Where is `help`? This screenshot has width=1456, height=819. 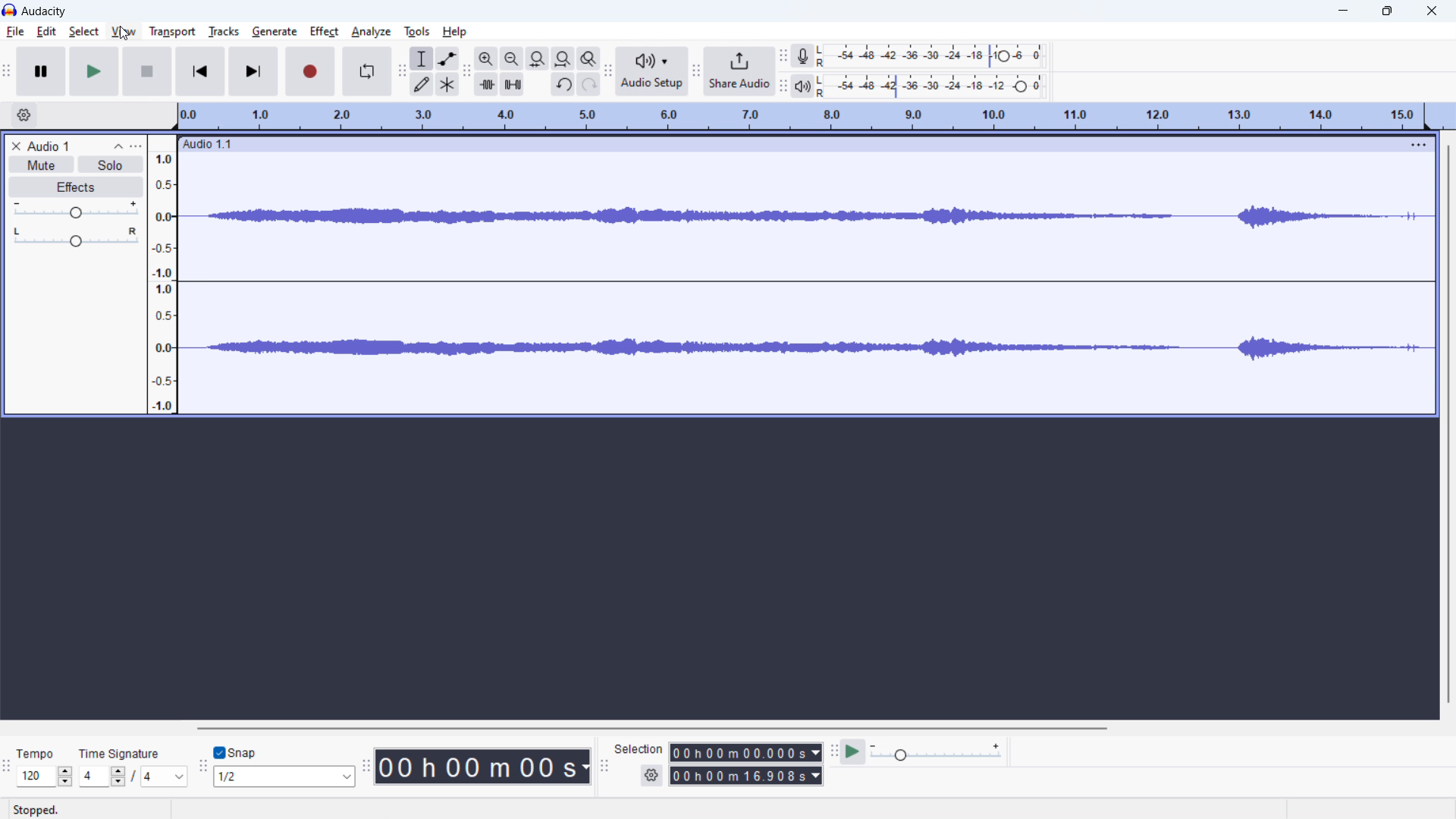
help is located at coordinates (454, 33).